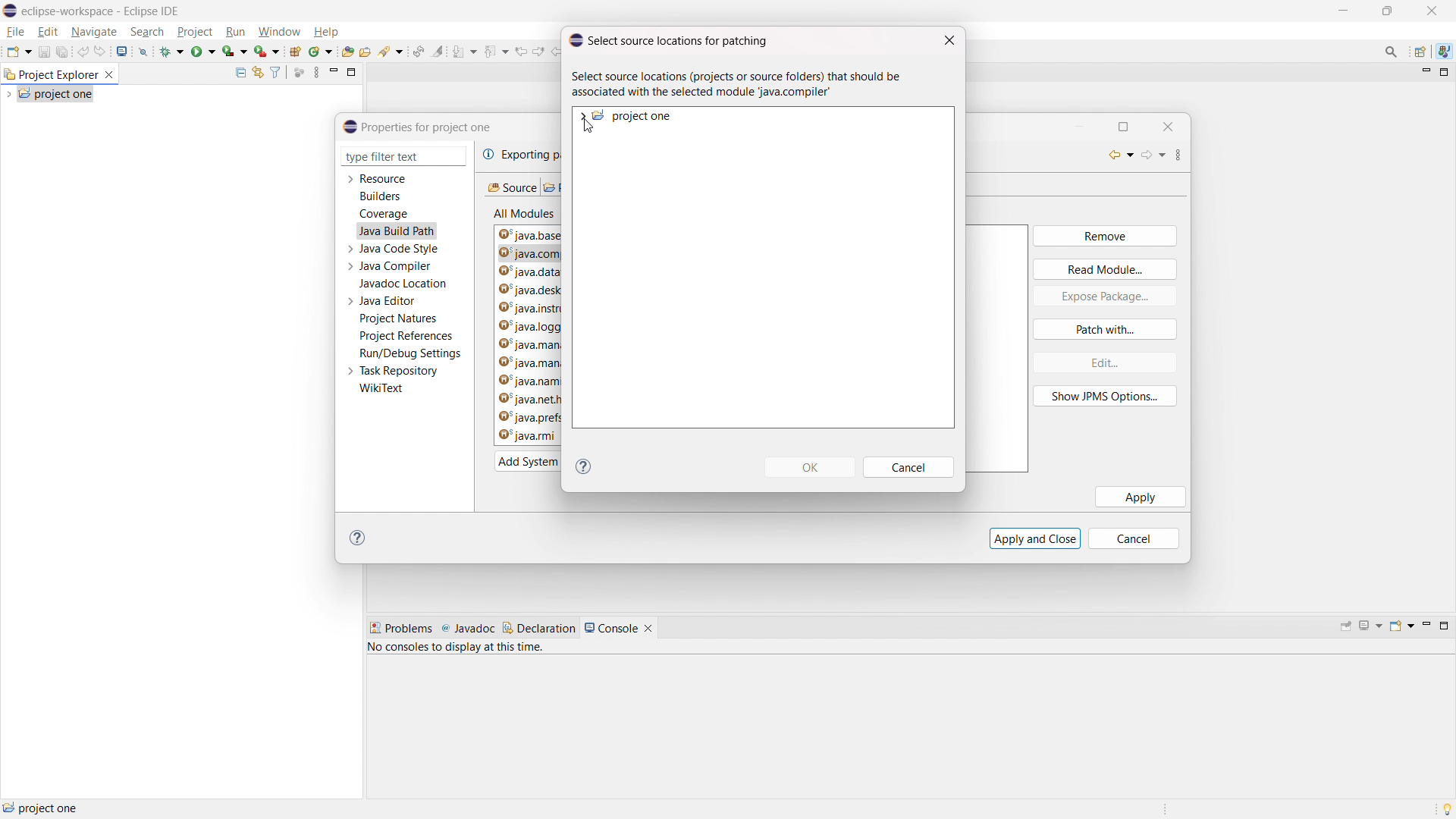 The height and width of the screenshot is (819, 1456). What do you see at coordinates (195, 32) in the screenshot?
I see `project` at bounding box center [195, 32].